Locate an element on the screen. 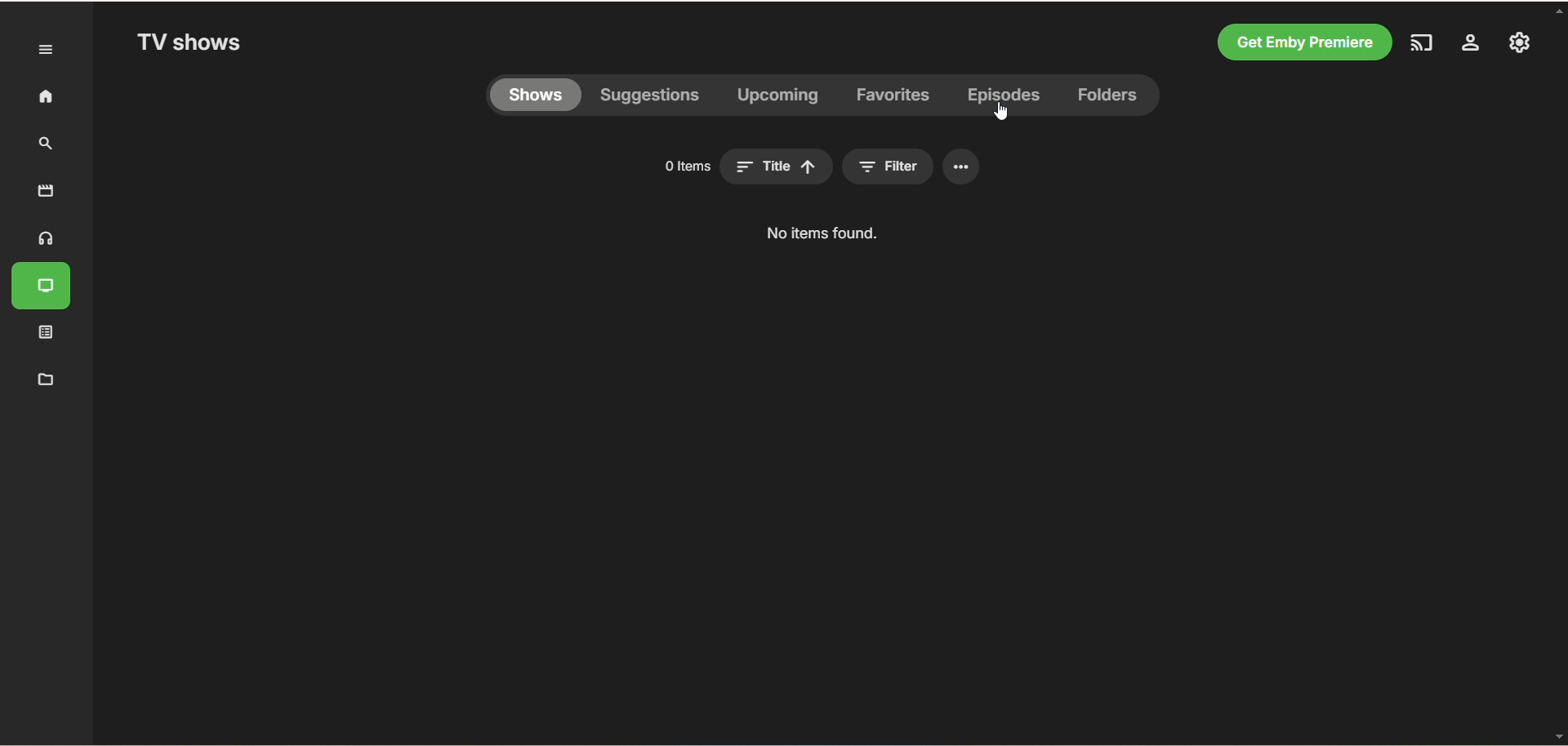 The height and width of the screenshot is (746, 1568). playlist is located at coordinates (47, 335).